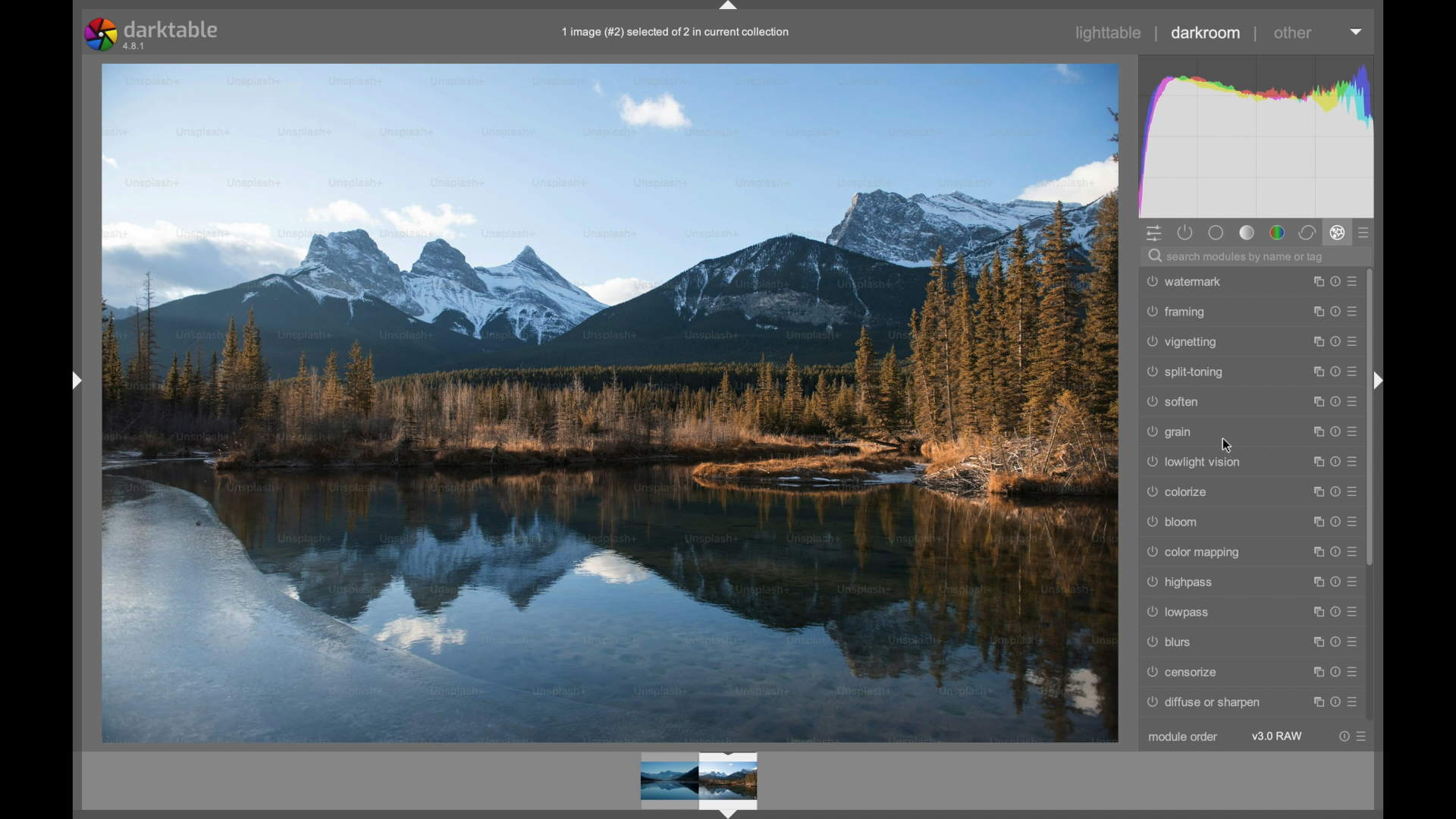  What do you see at coordinates (1109, 33) in the screenshot?
I see `lighttable` at bounding box center [1109, 33].